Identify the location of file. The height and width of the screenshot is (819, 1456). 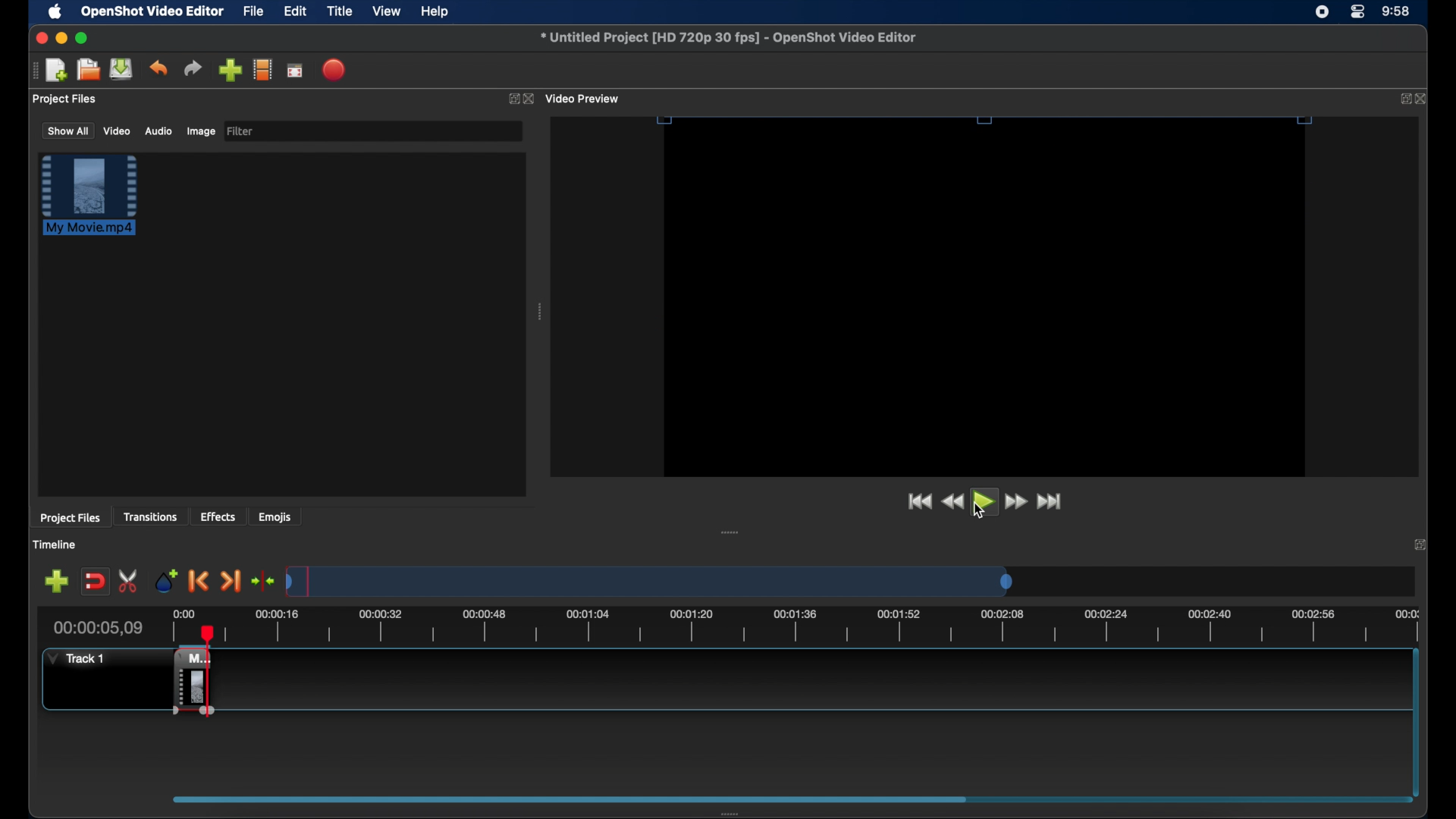
(254, 12).